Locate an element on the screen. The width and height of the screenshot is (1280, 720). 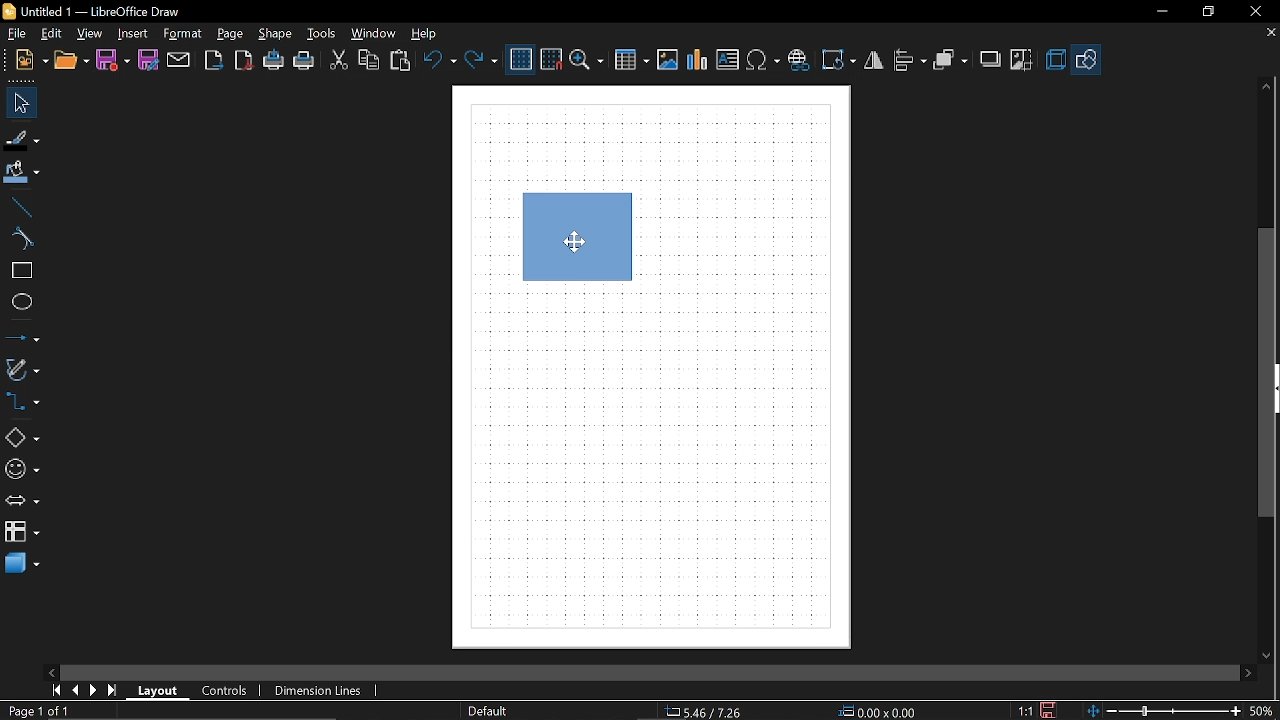
Dimension lines is located at coordinates (319, 691).